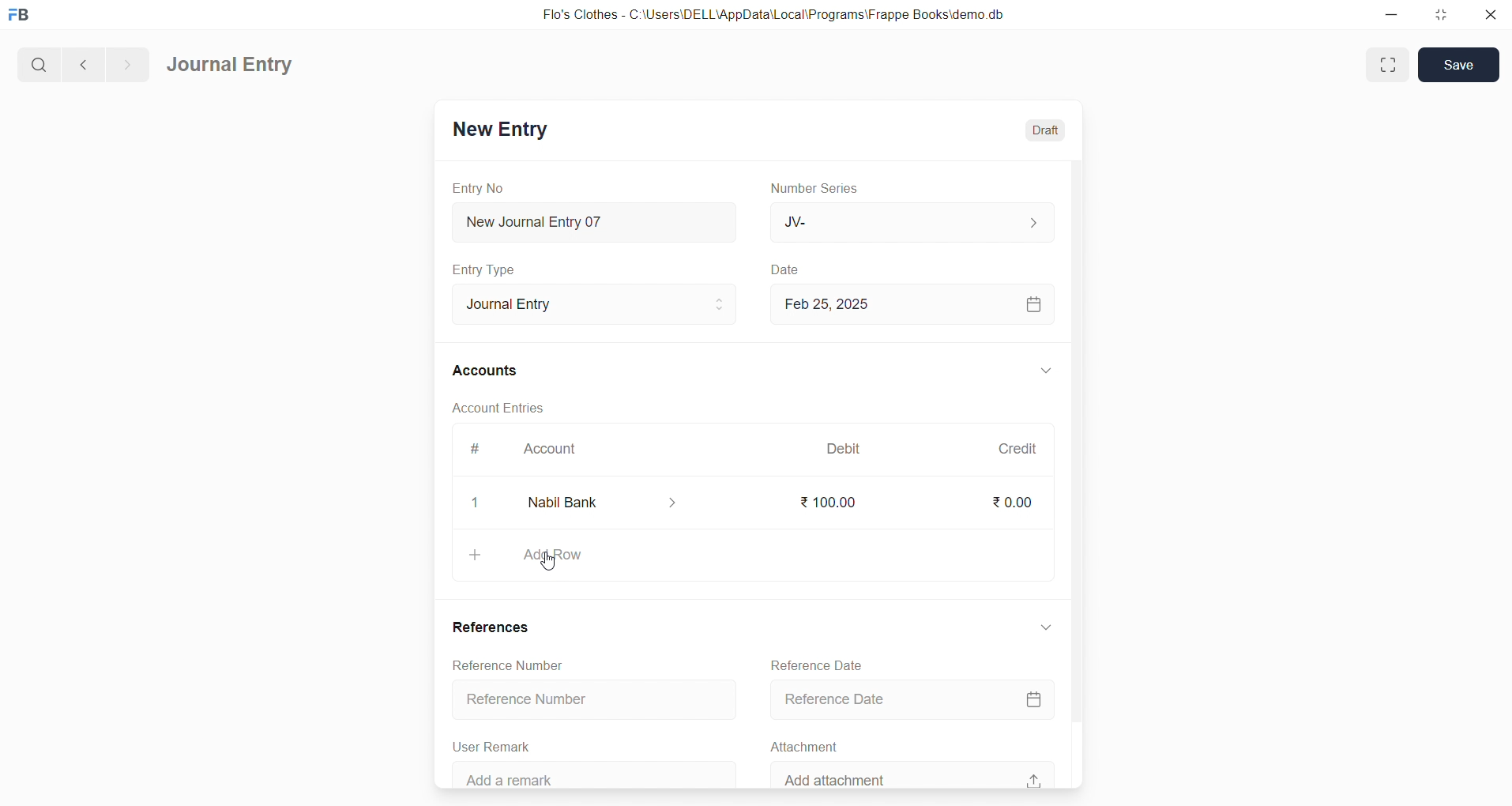  What do you see at coordinates (833, 503) in the screenshot?
I see `₹ 100.00` at bounding box center [833, 503].